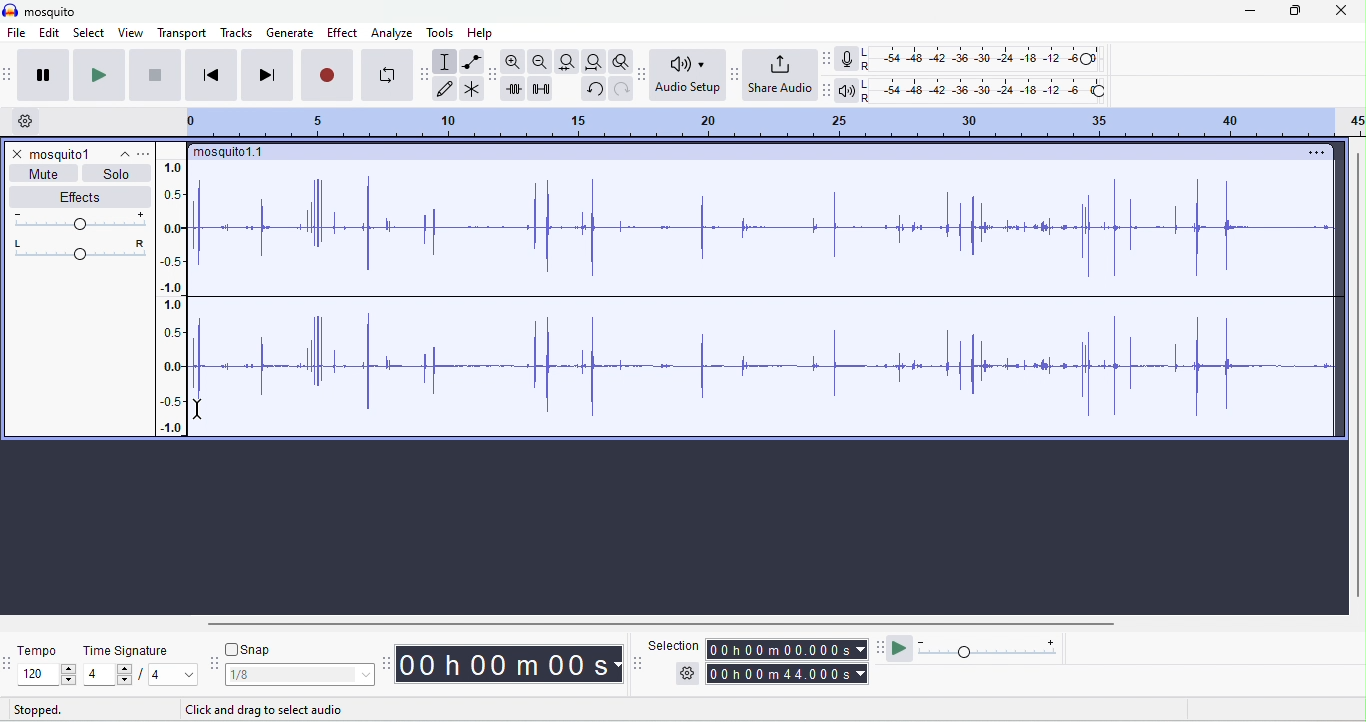 Image resolution: width=1366 pixels, height=722 pixels. What do you see at coordinates (76, 249) in the screenshot?
I see `pan` at bounding box center [76, 249].